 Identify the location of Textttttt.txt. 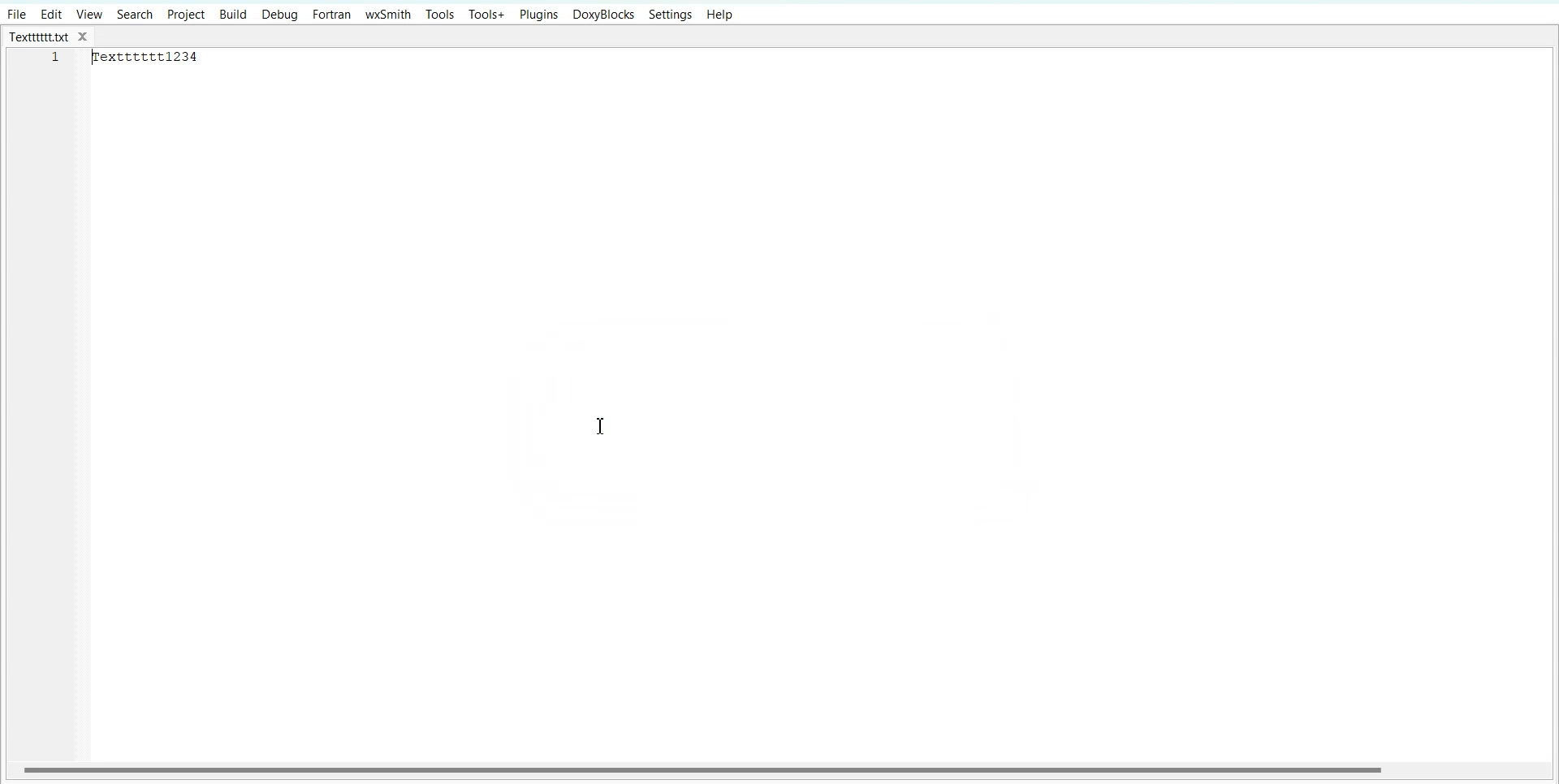
(39, 37).